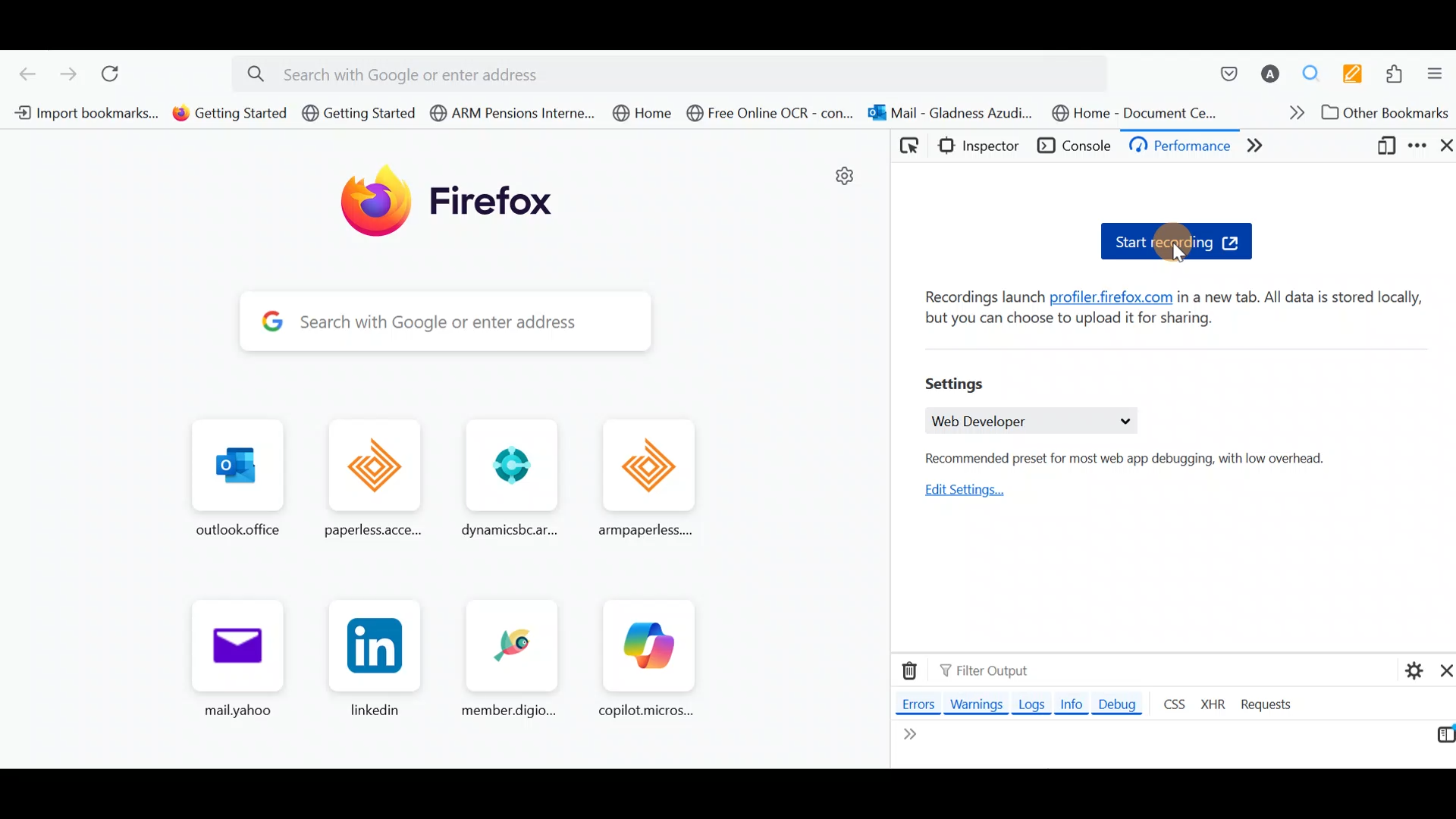 The image size is (1456, 819). I want to click on Debugger, so click(1175, 145).